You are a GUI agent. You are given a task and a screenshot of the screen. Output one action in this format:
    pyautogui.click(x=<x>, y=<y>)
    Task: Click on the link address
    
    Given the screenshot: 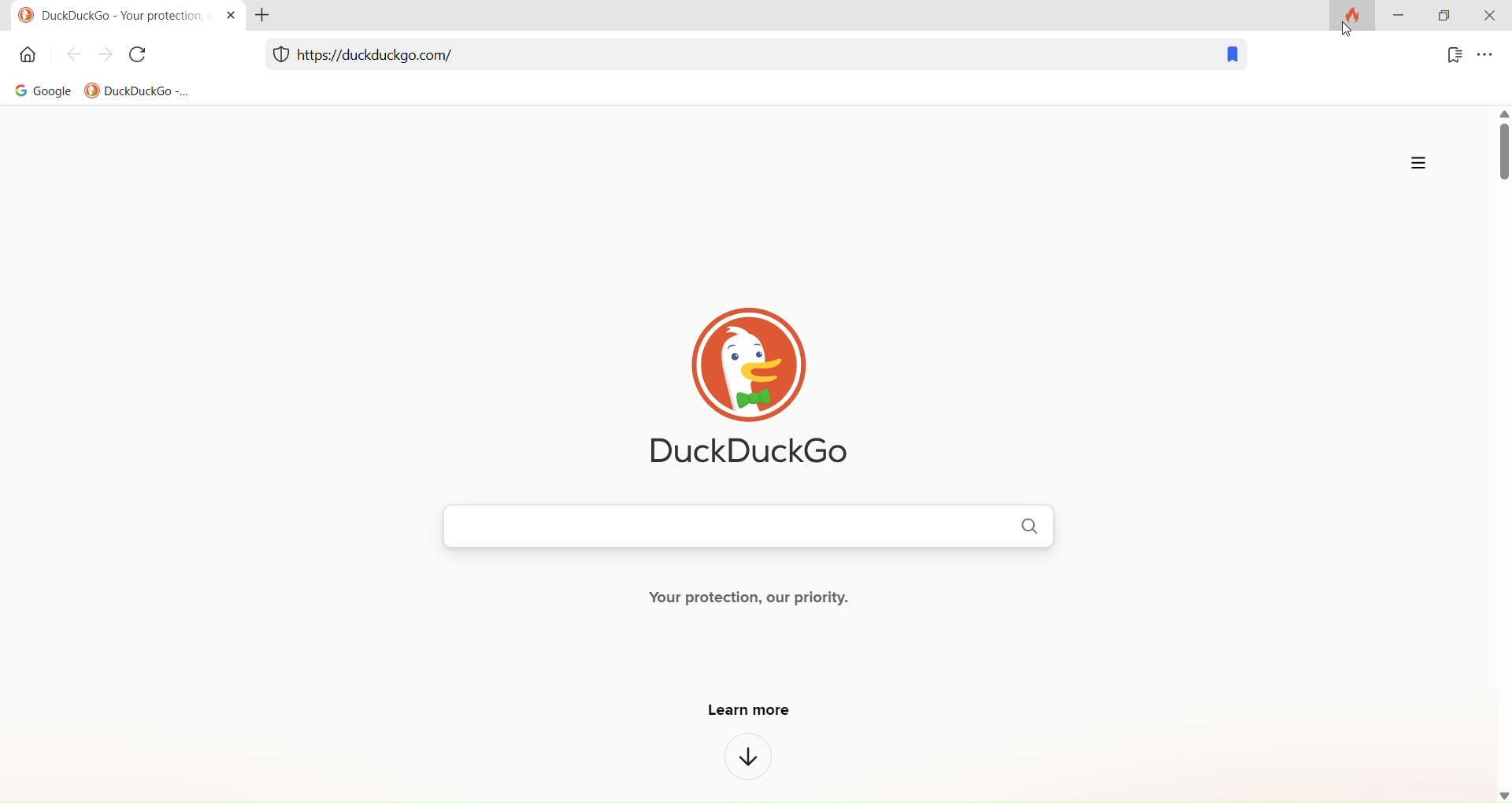 What is the action you would take?
    pyautogui.click(x=392, y=54)
    